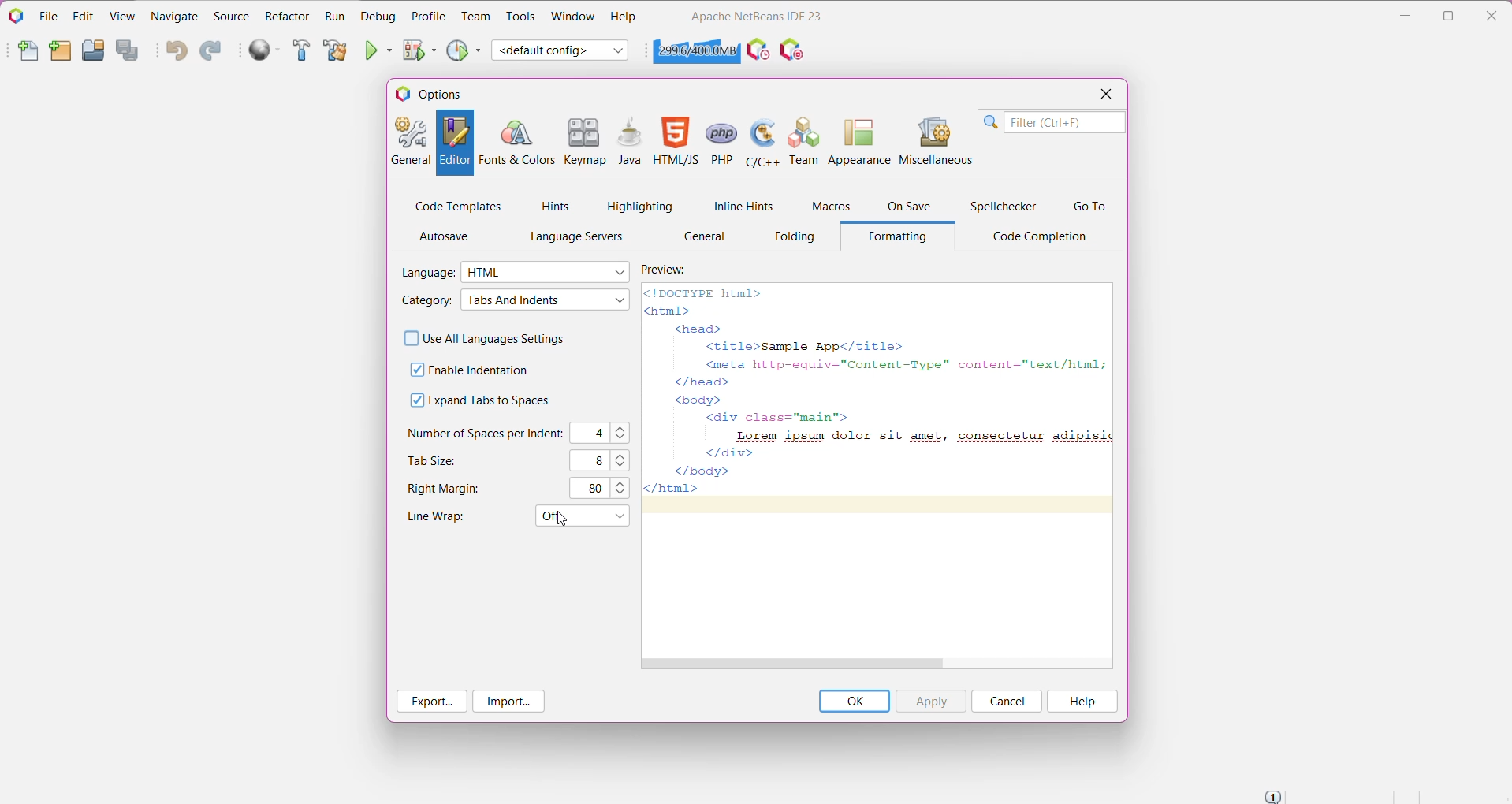 Image resolution: width=1512 pixels, height=804 pixels. What do you see at coordinates (1405, 16) in the screenshot?
I see `Minimize` at bounding box center [1405, 16].